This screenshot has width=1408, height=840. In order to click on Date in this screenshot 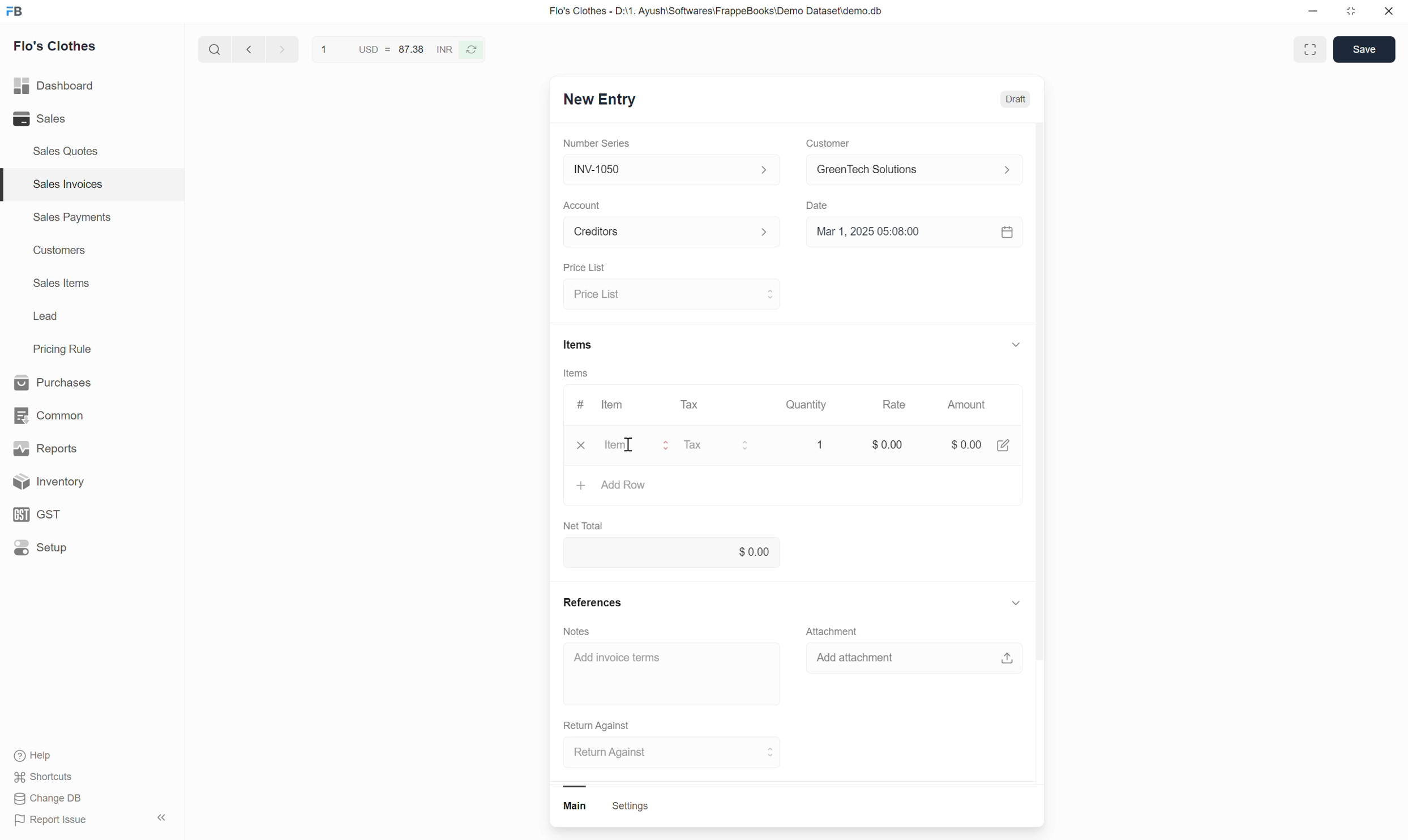, I will do `click(820, 207)`.